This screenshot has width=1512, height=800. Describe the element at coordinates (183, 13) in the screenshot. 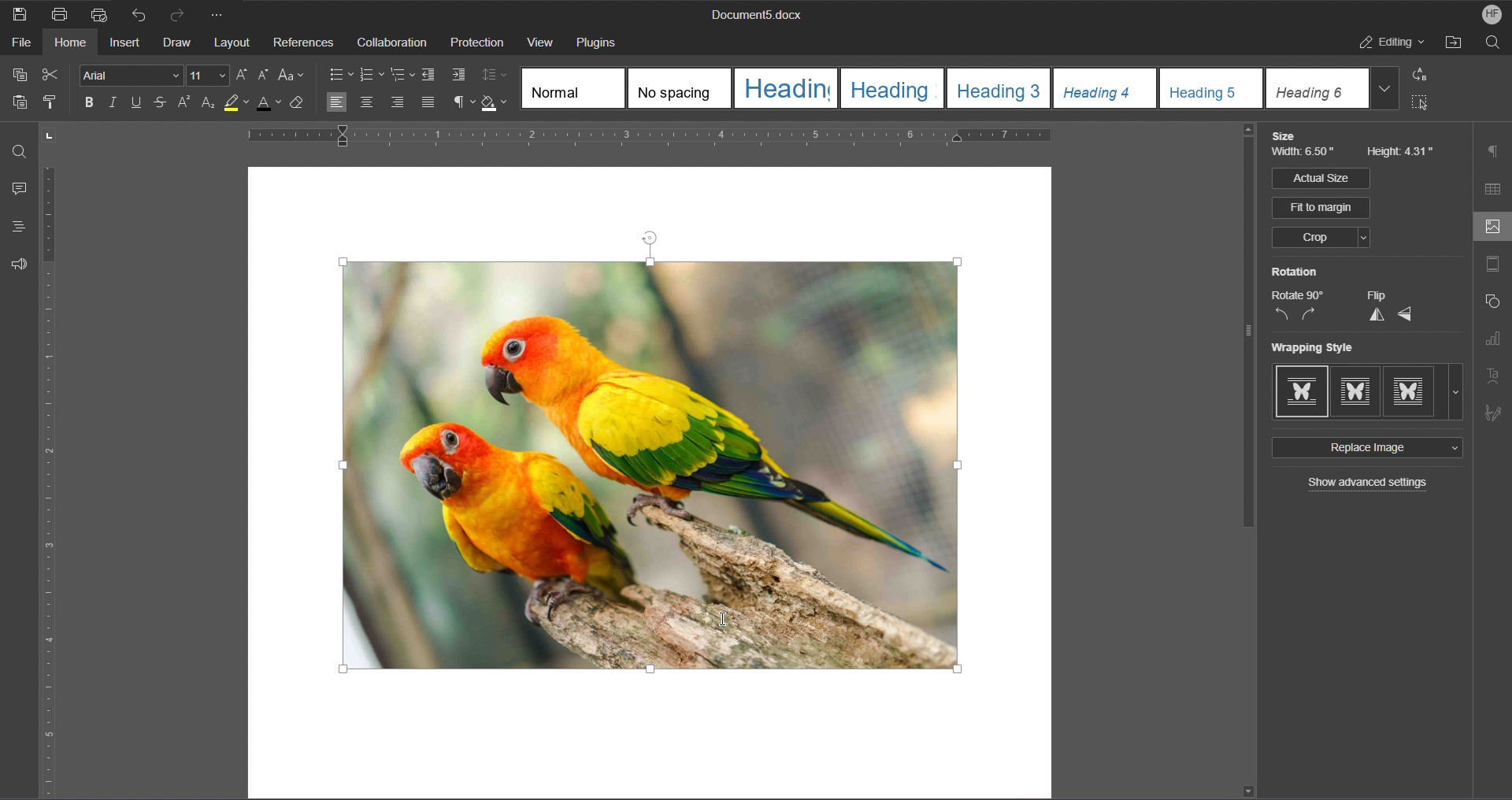

I see `Redo` at that location.